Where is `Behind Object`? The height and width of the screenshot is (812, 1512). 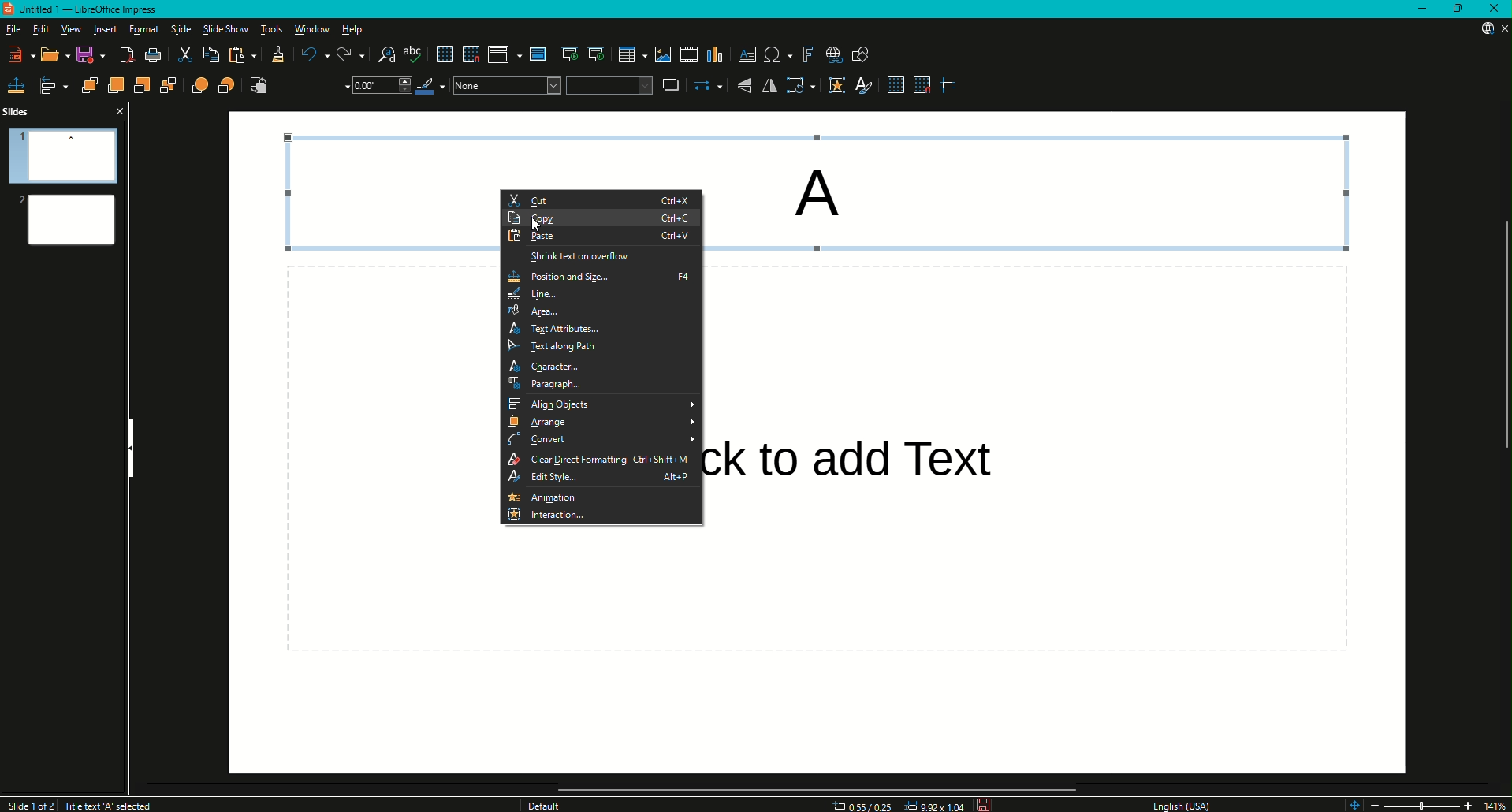 Behind Object is located at coordinates (224, 86).